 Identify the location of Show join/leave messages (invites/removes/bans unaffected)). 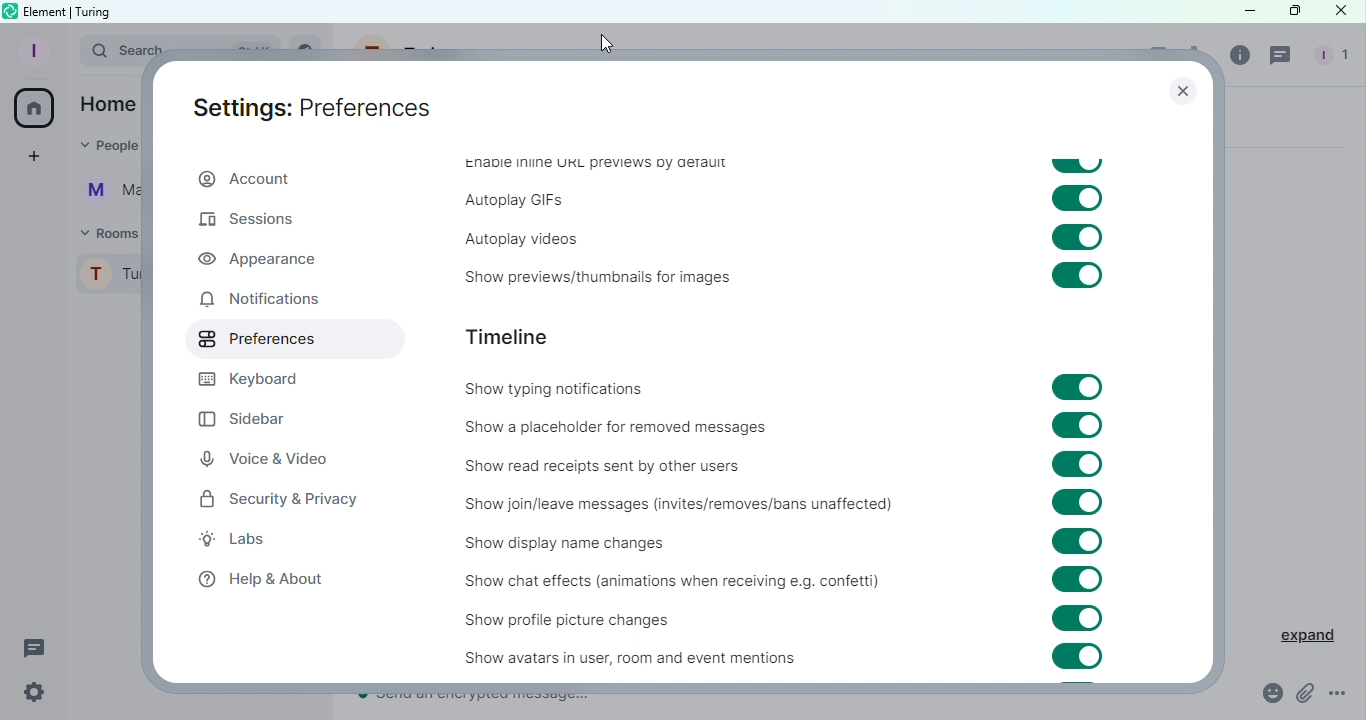
(675, 505).